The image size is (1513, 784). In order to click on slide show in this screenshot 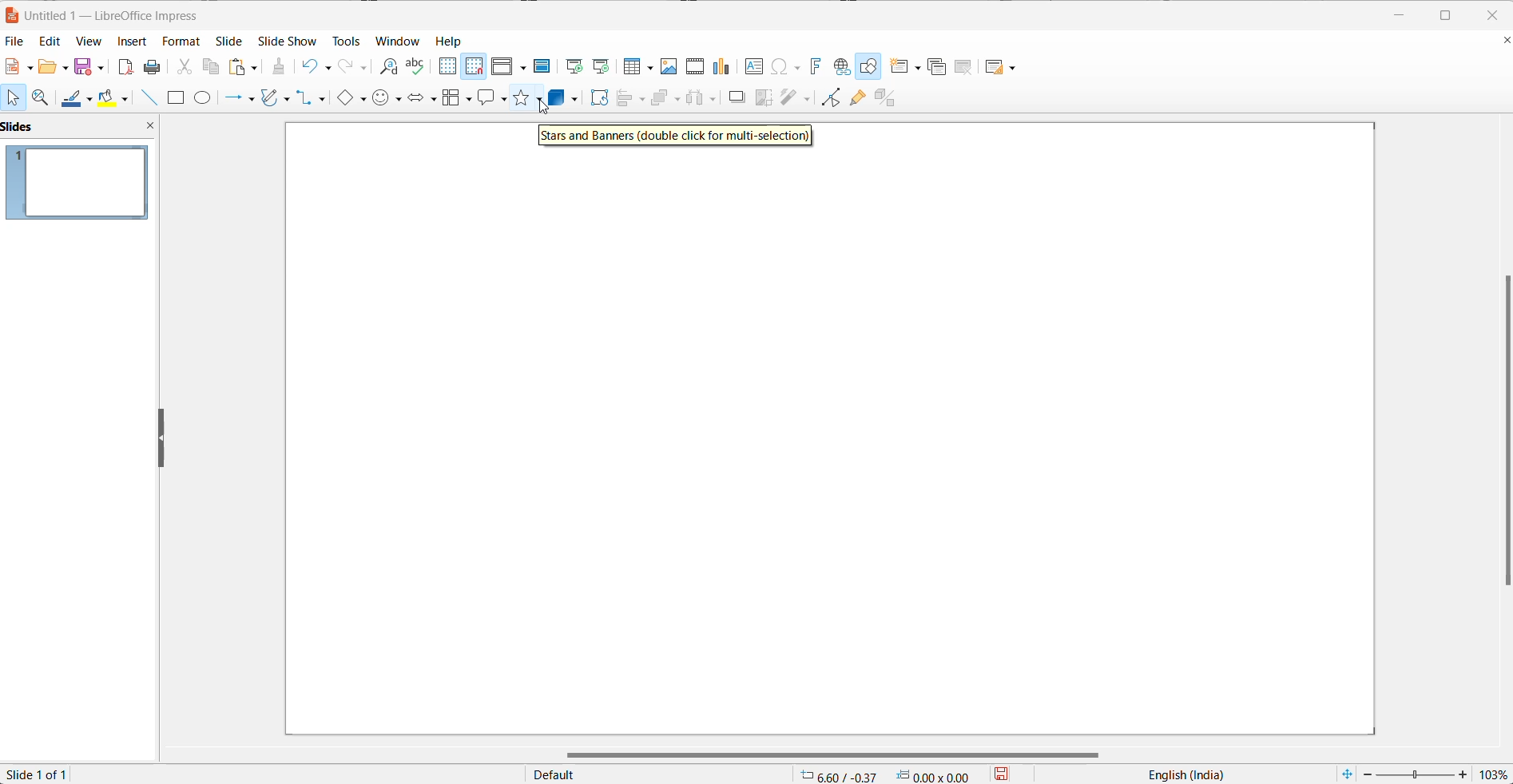, I will do `click(287, 41)`.